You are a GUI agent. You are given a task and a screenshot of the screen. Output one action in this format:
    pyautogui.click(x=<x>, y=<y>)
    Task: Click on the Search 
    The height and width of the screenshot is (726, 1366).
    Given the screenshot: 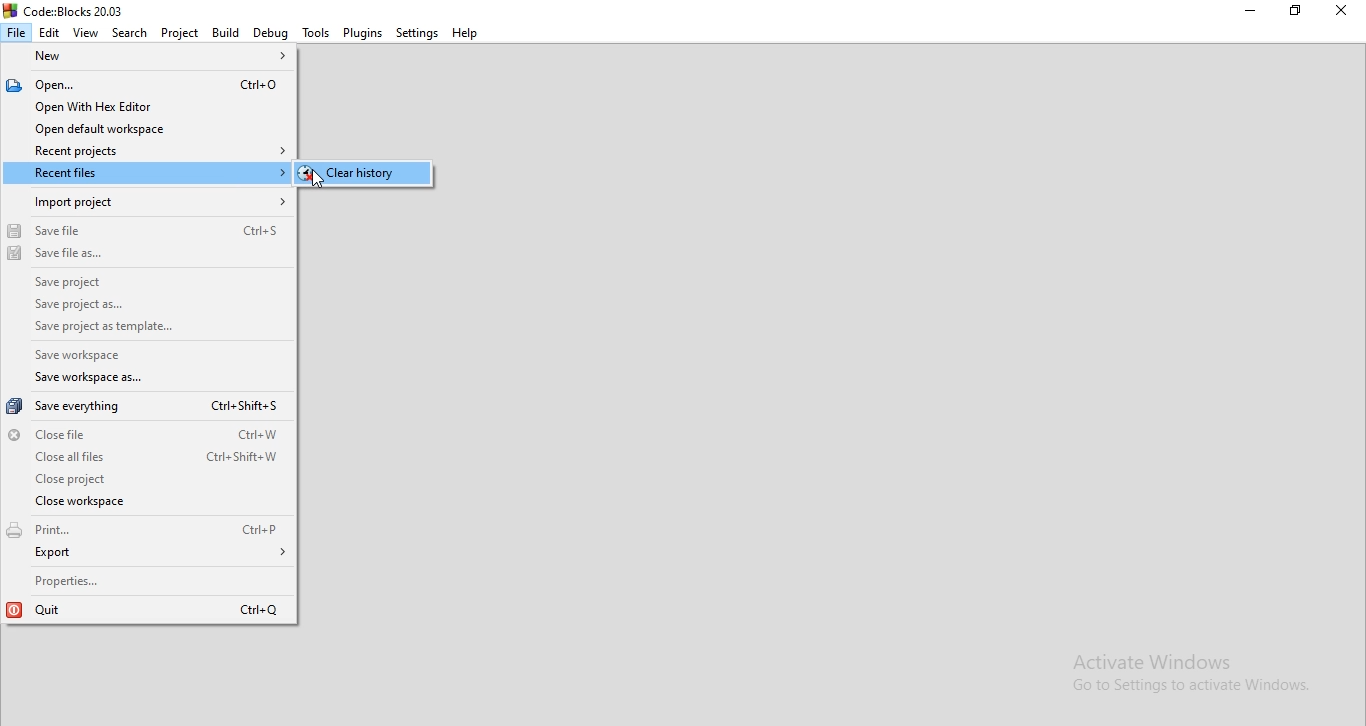 What is the action you would take?
    pyautogui.click(x=127, y=32)
    